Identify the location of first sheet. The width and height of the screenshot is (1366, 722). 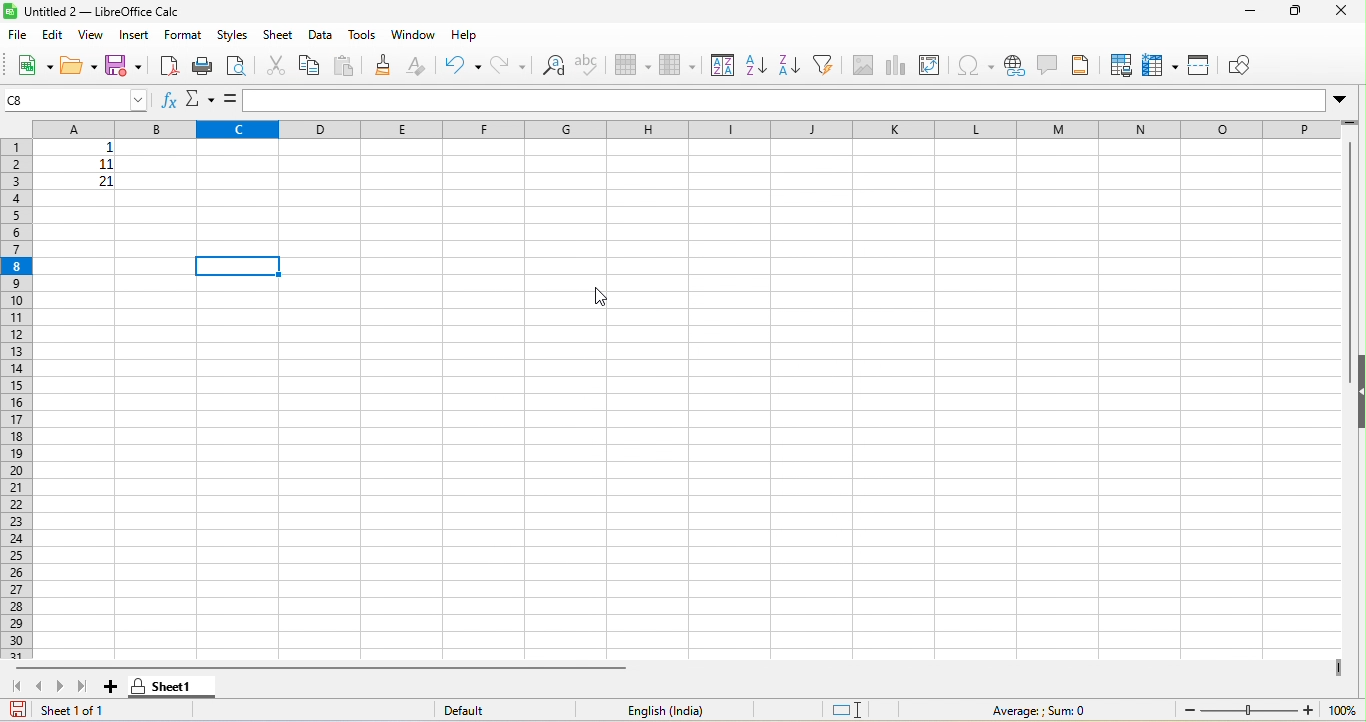
(19, 685).